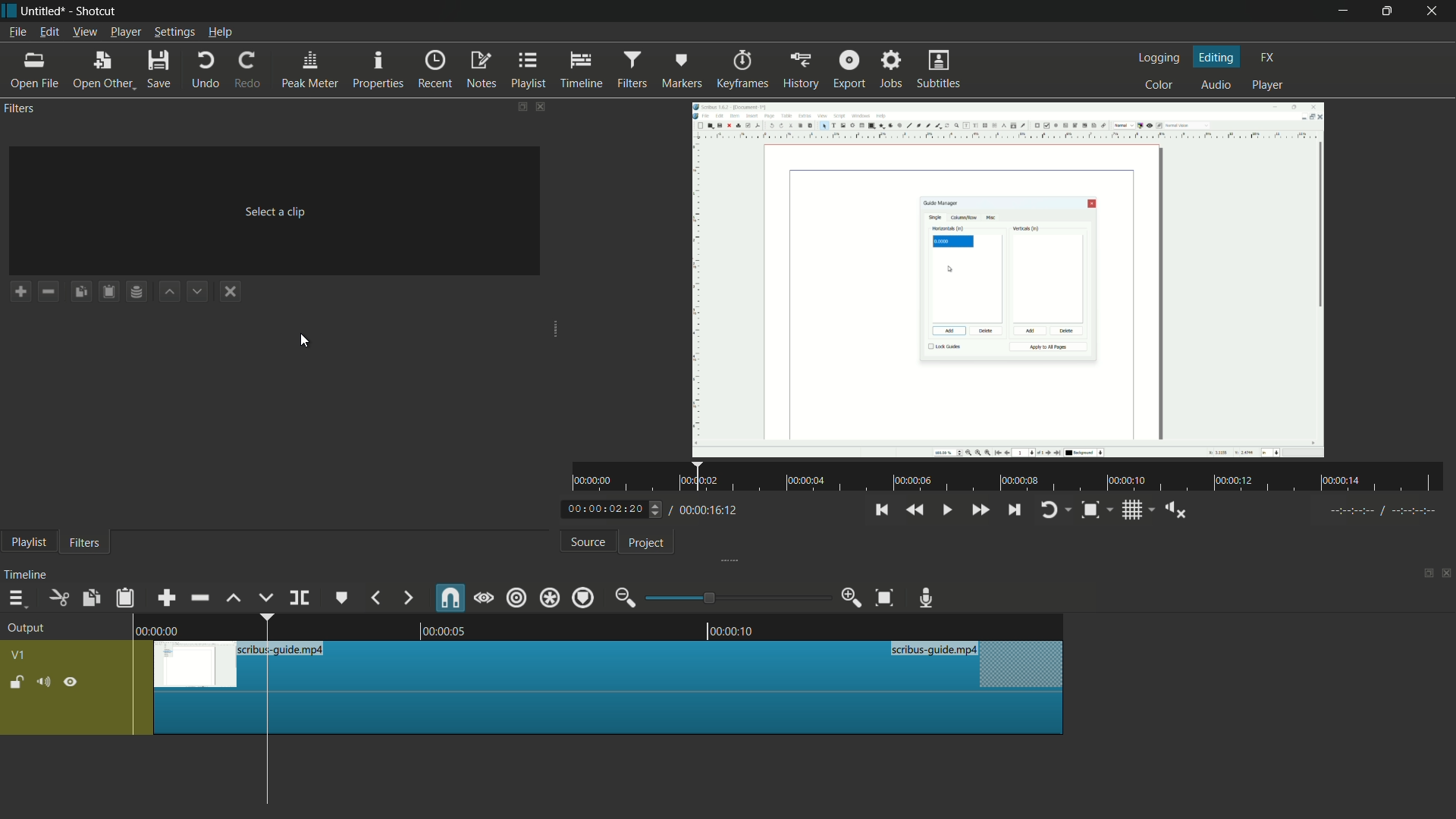  What do you see at coordinates (158, 68) in the screenshot?
I see `save` at bounding box center [158, 68].